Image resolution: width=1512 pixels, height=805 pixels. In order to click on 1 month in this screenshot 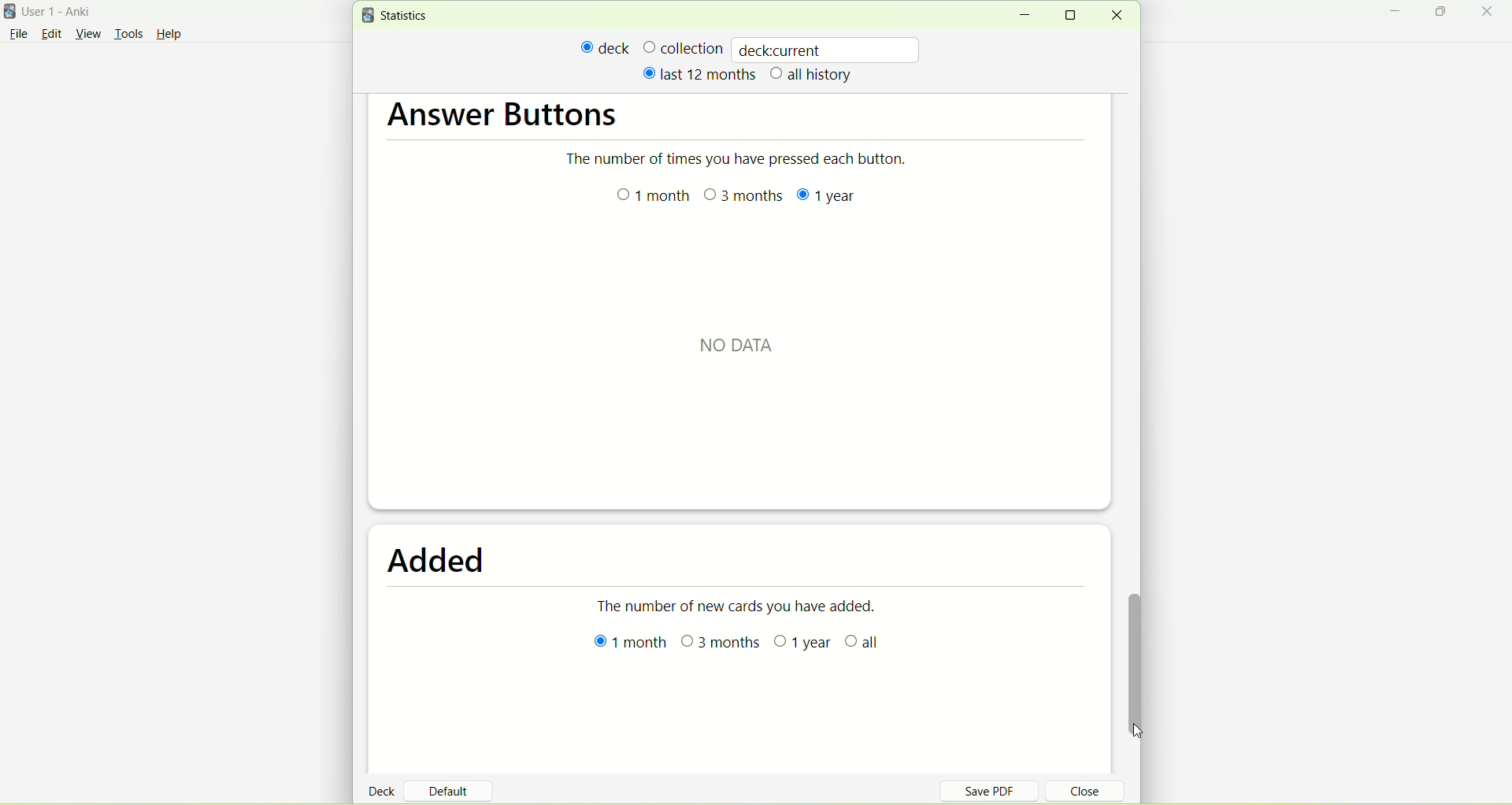, I will do `click(655, 199)`.